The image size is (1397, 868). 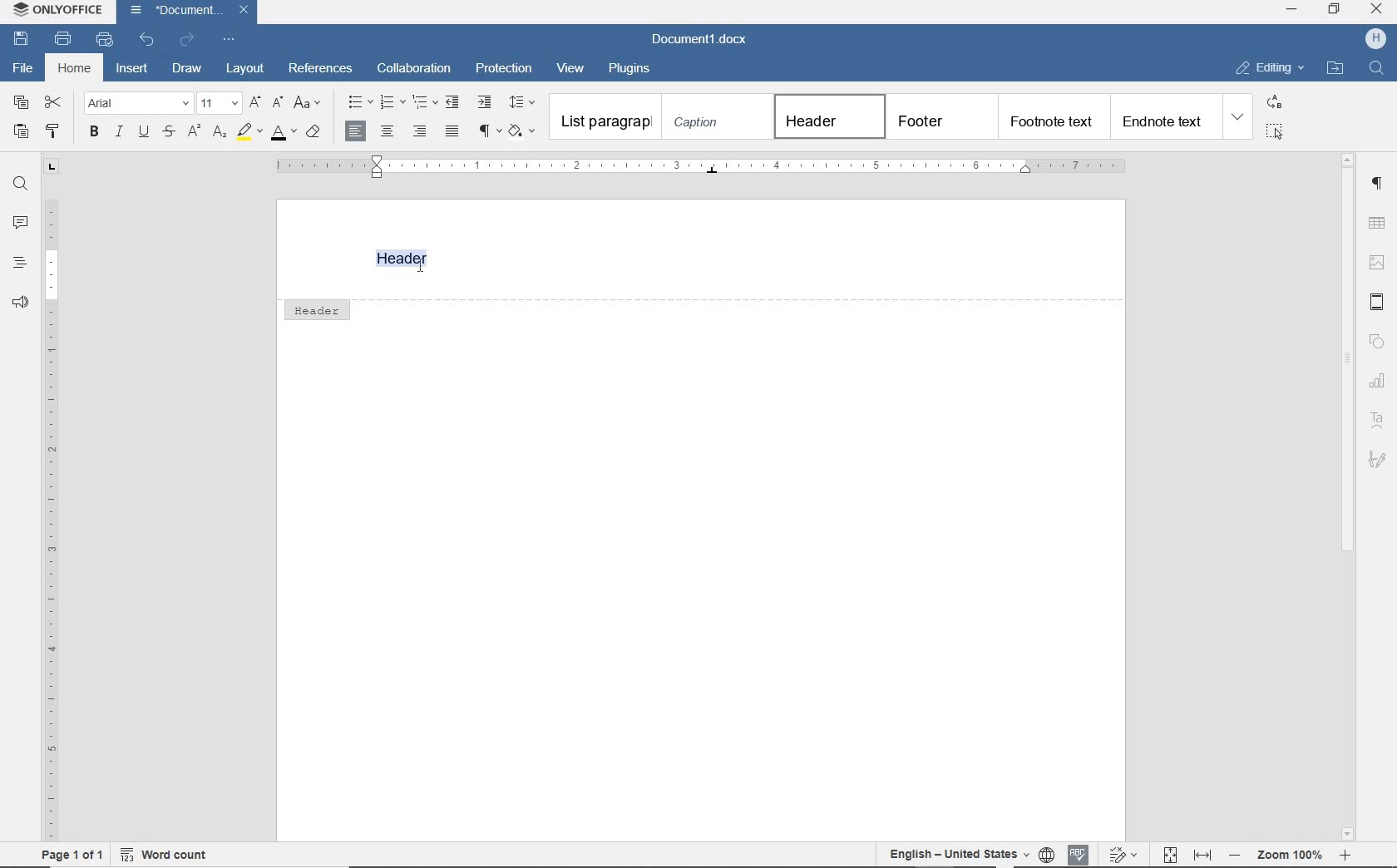 What do you see at coordinates (1051, 116) in the screenshot?
I see `Heading3` at bounding box center [1051, 116].